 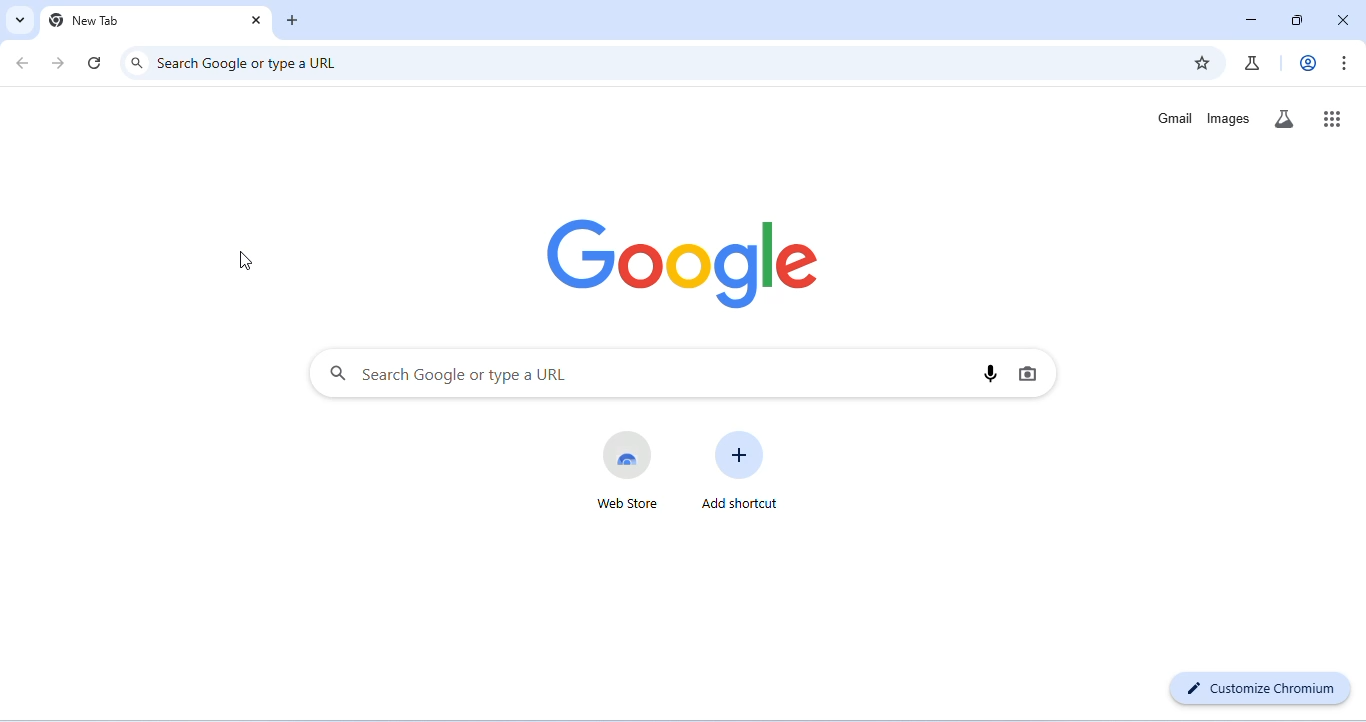 I want to click on web store, so click(x=629, y=470).